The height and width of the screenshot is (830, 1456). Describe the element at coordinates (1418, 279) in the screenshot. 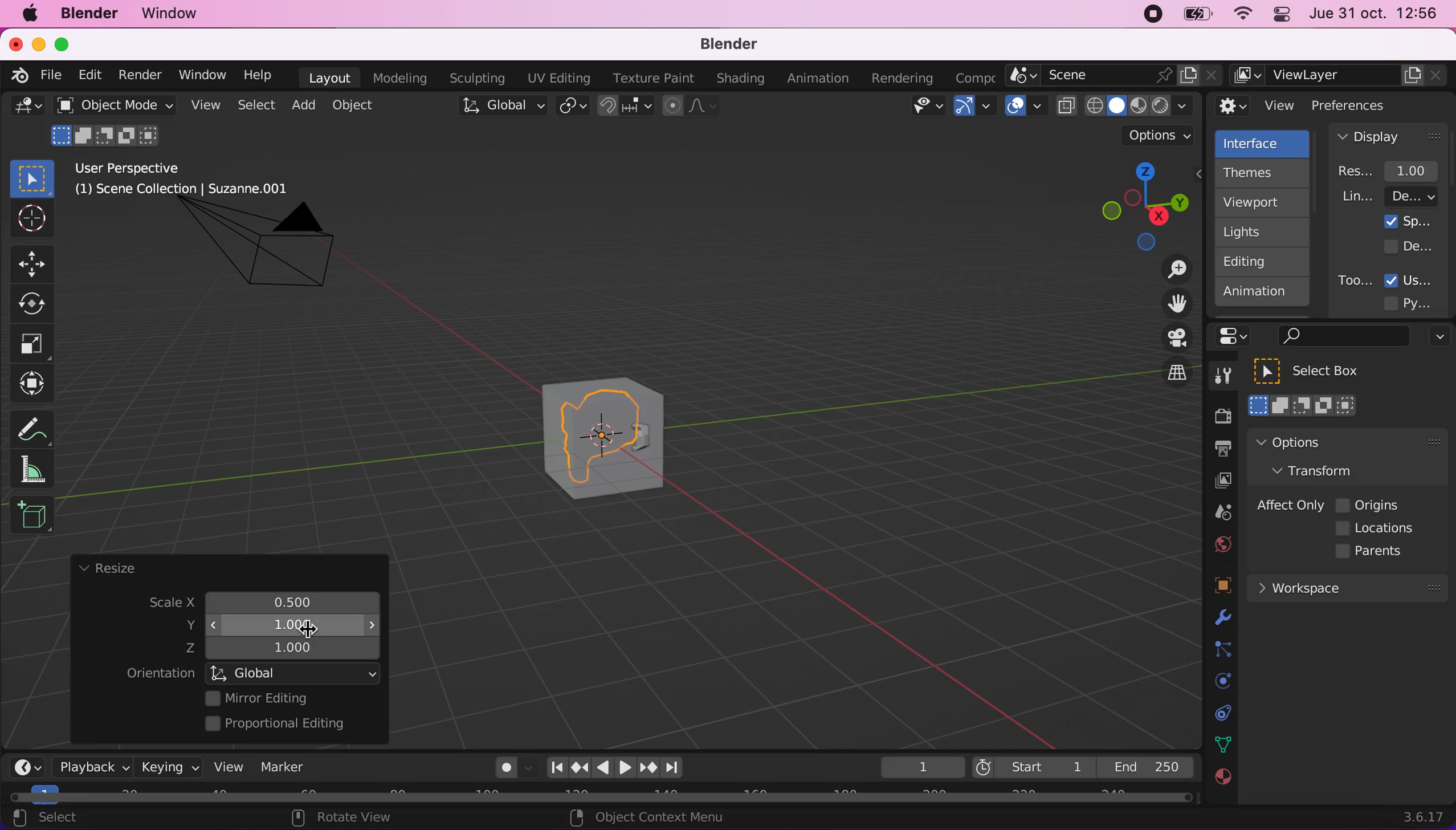

I see `user tooltips` at that location.